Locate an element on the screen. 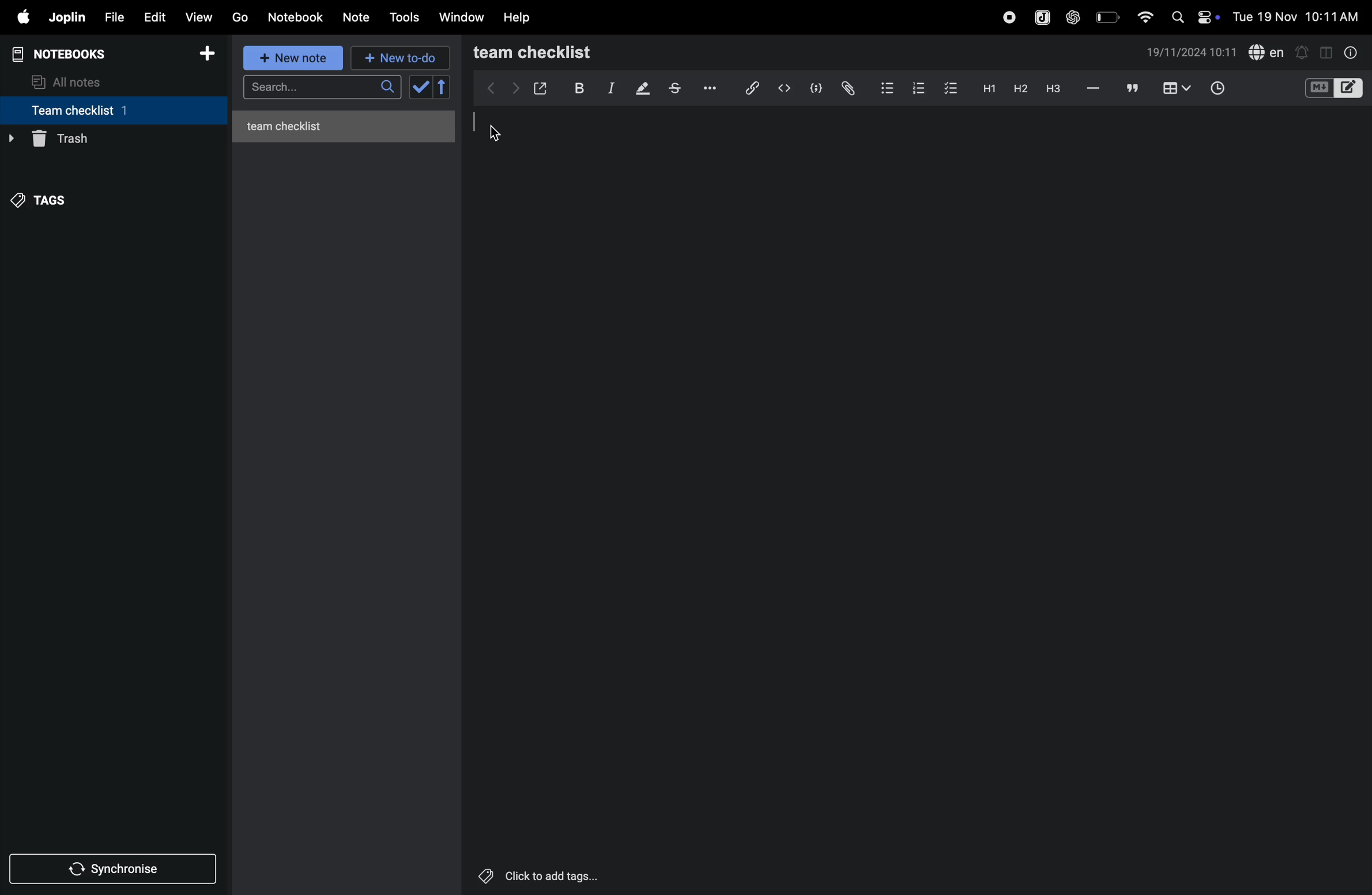  cursor is located at coordinates (478, 123).